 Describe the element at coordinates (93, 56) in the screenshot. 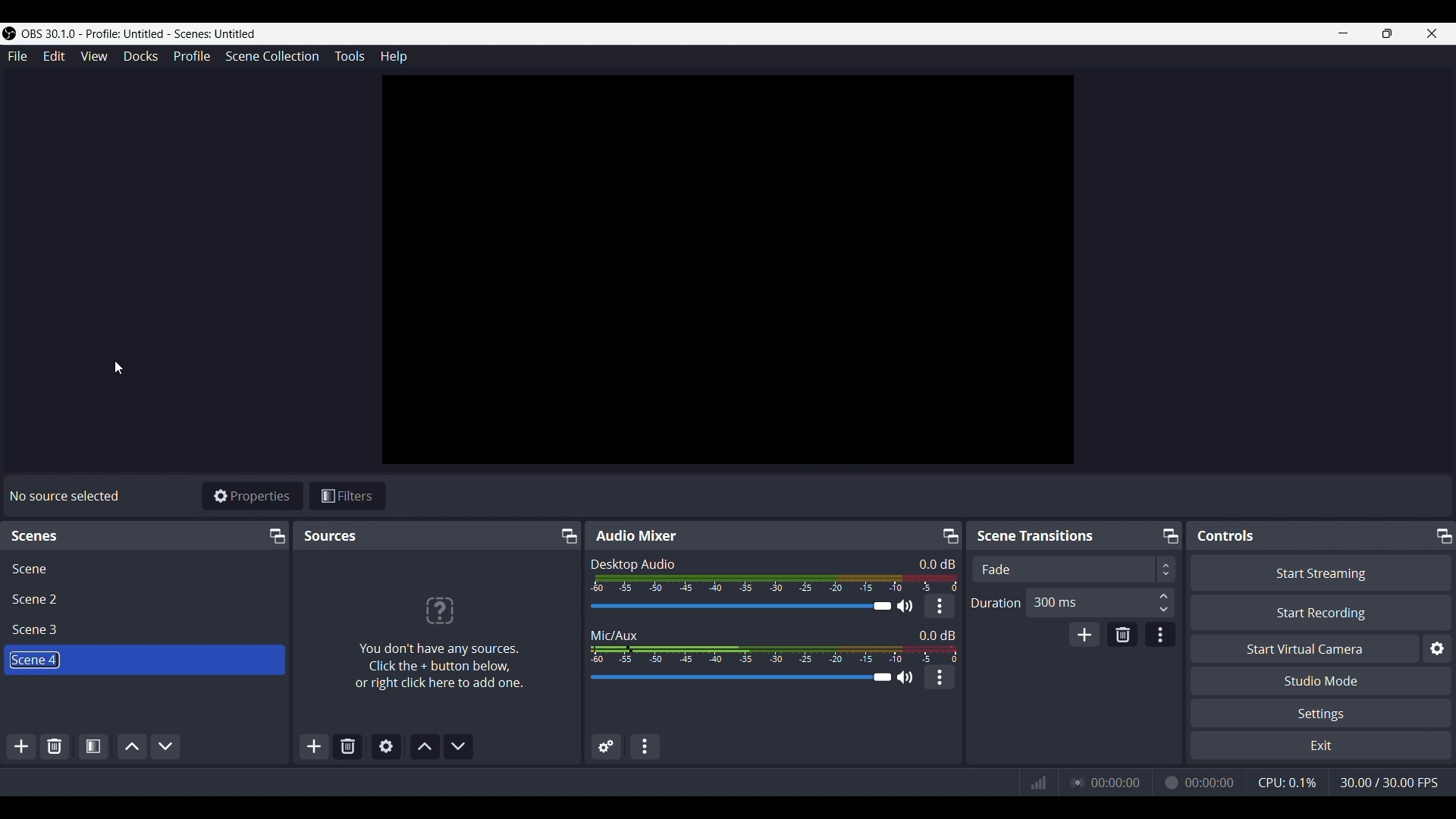

I see `View` at that location.